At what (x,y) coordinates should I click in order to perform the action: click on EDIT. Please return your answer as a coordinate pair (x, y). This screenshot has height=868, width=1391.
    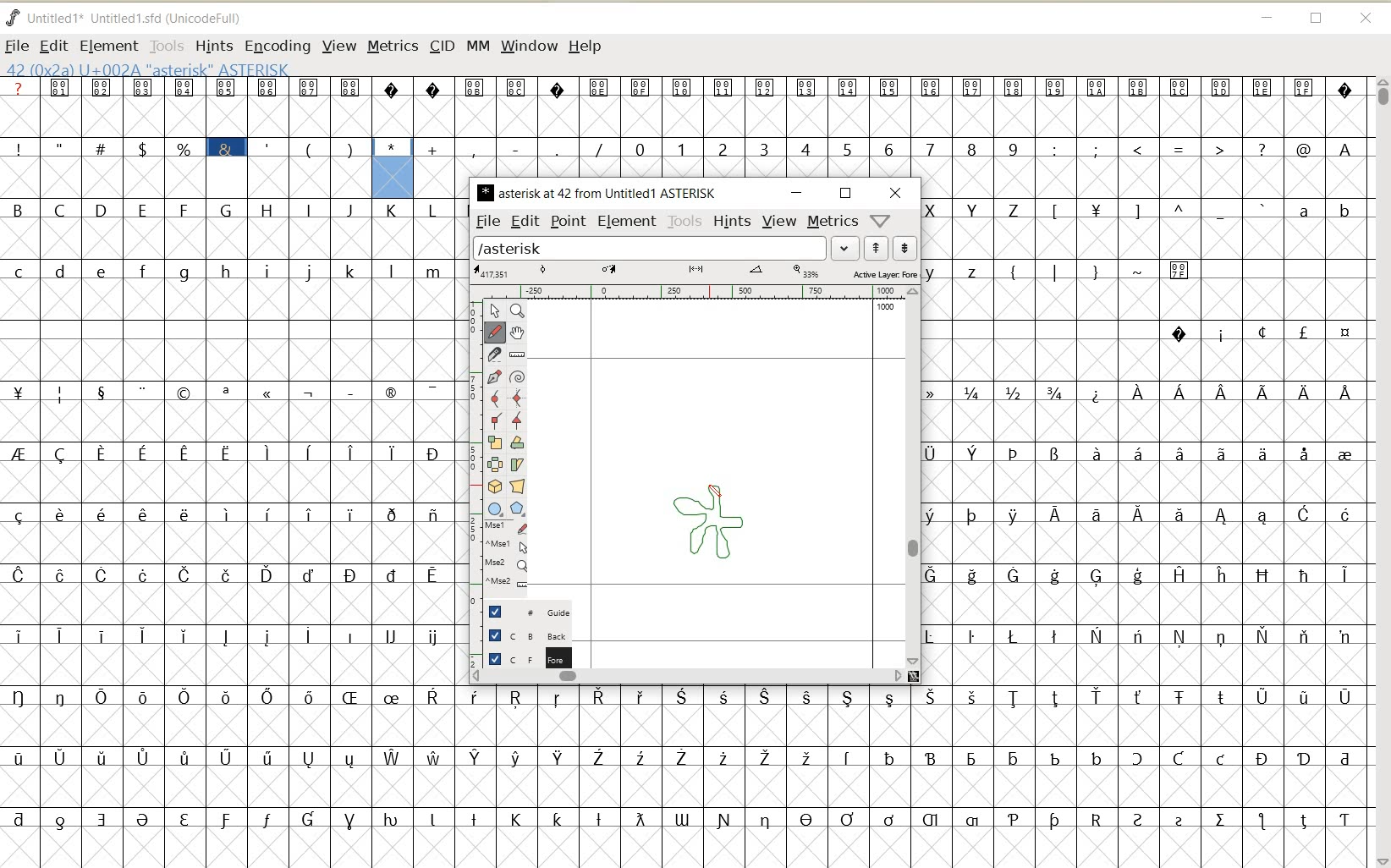
    Looking at the image, I should click on (54, 45).